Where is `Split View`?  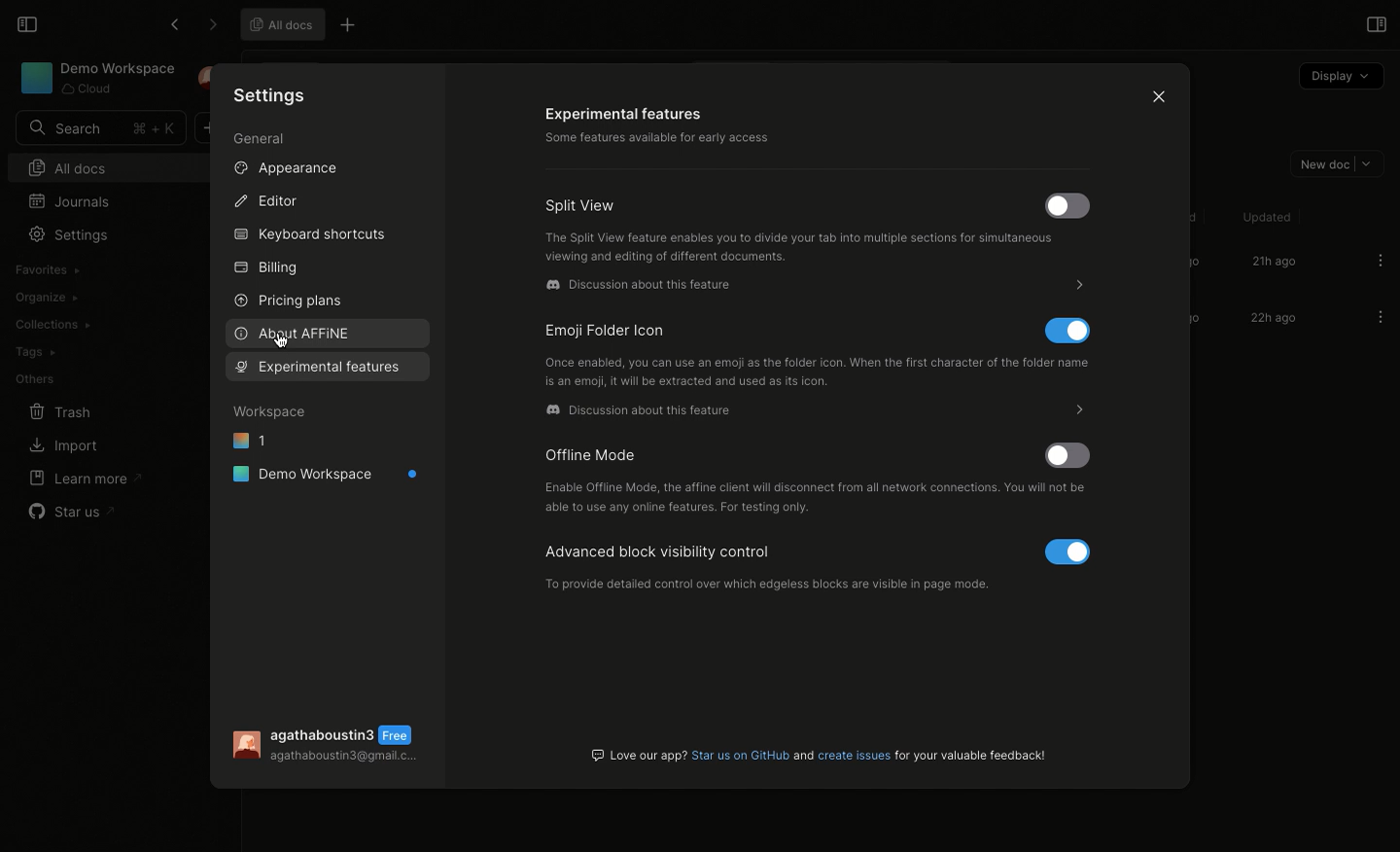 Split View is located at coordinates (582, 207).